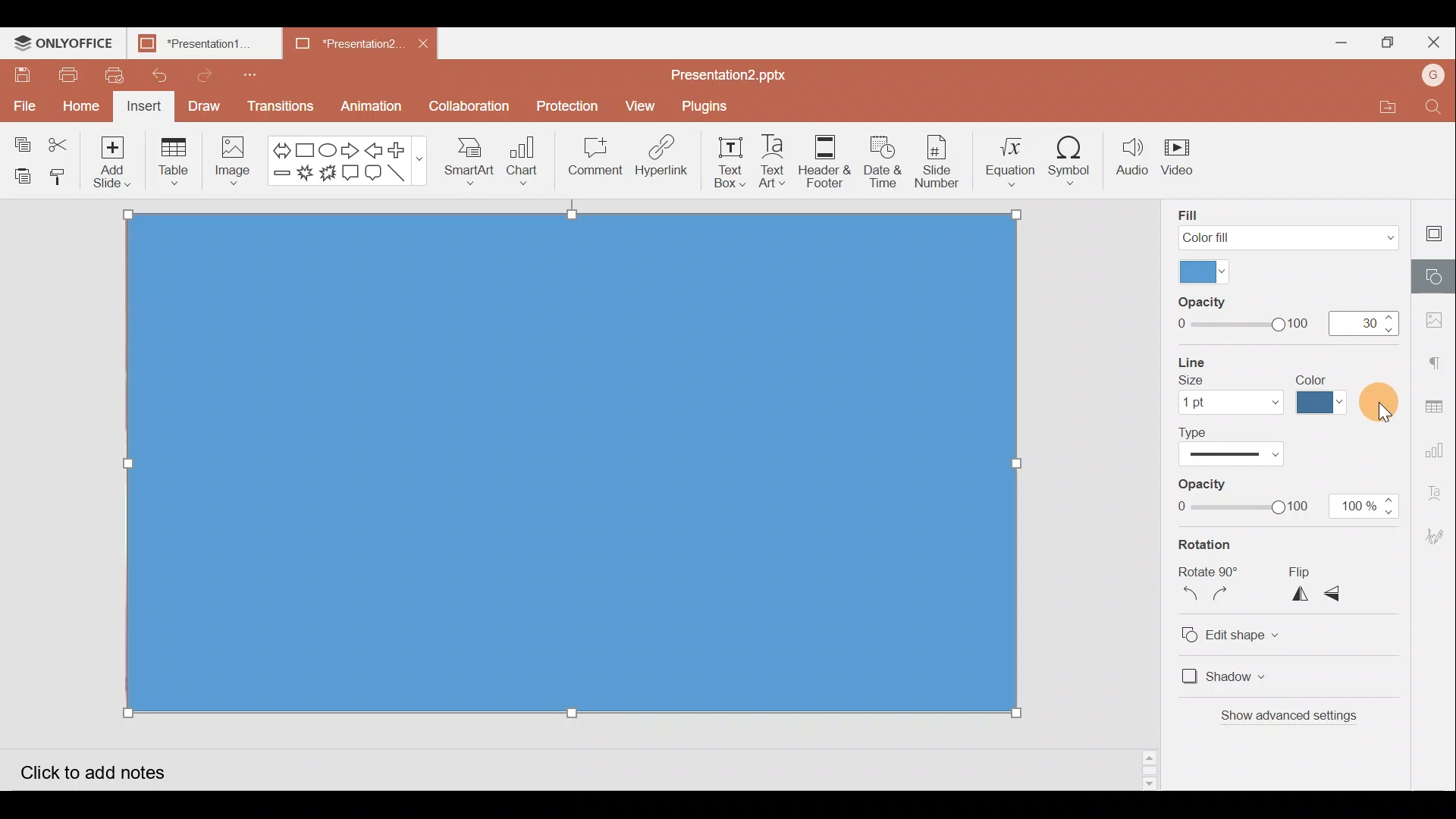 The height and width of the screenshot is (819, 1456). I want to click on Image, so click(233, 161).